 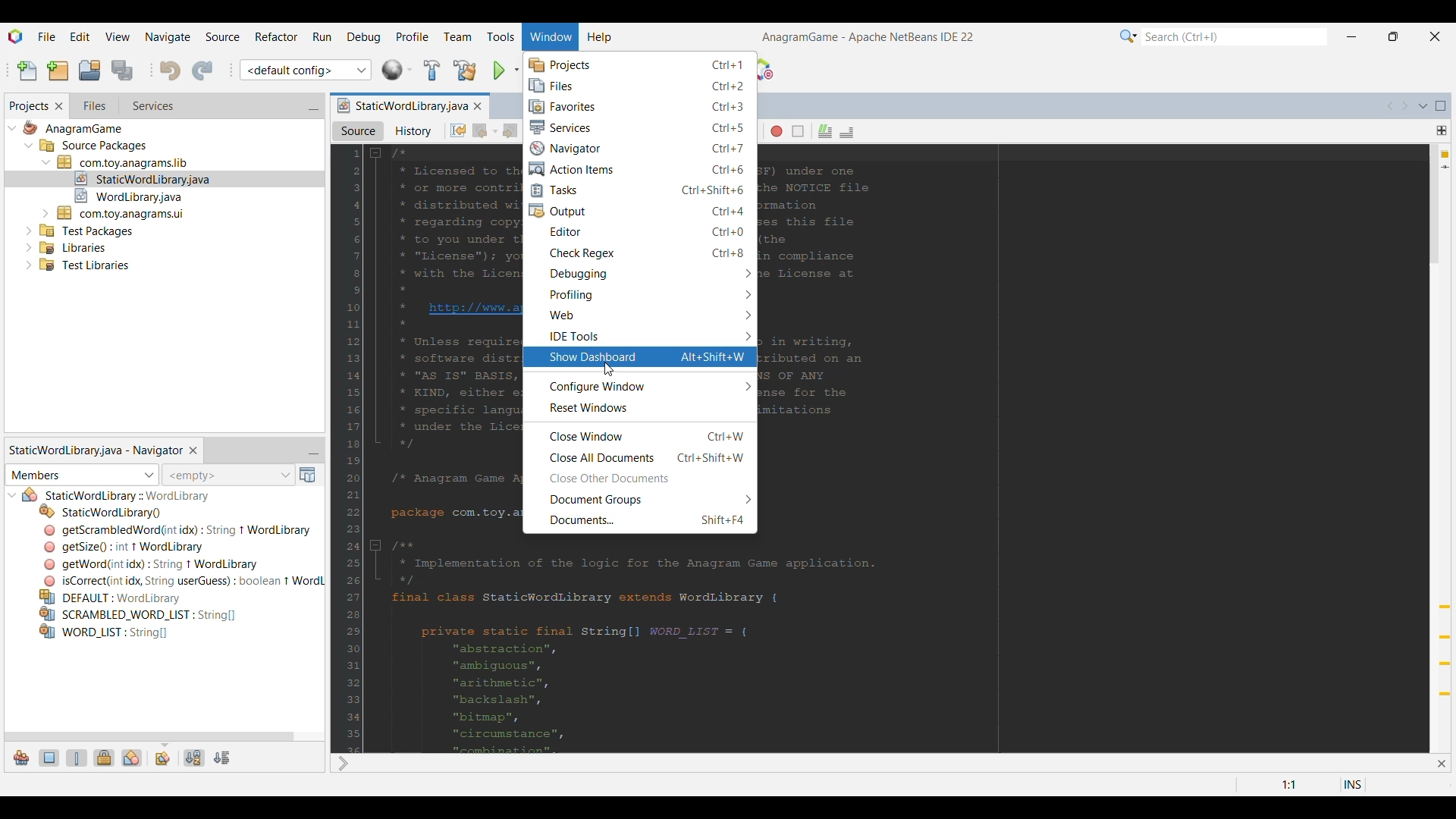 I want to click on 4 warnings, so click(x=1445, y=155).